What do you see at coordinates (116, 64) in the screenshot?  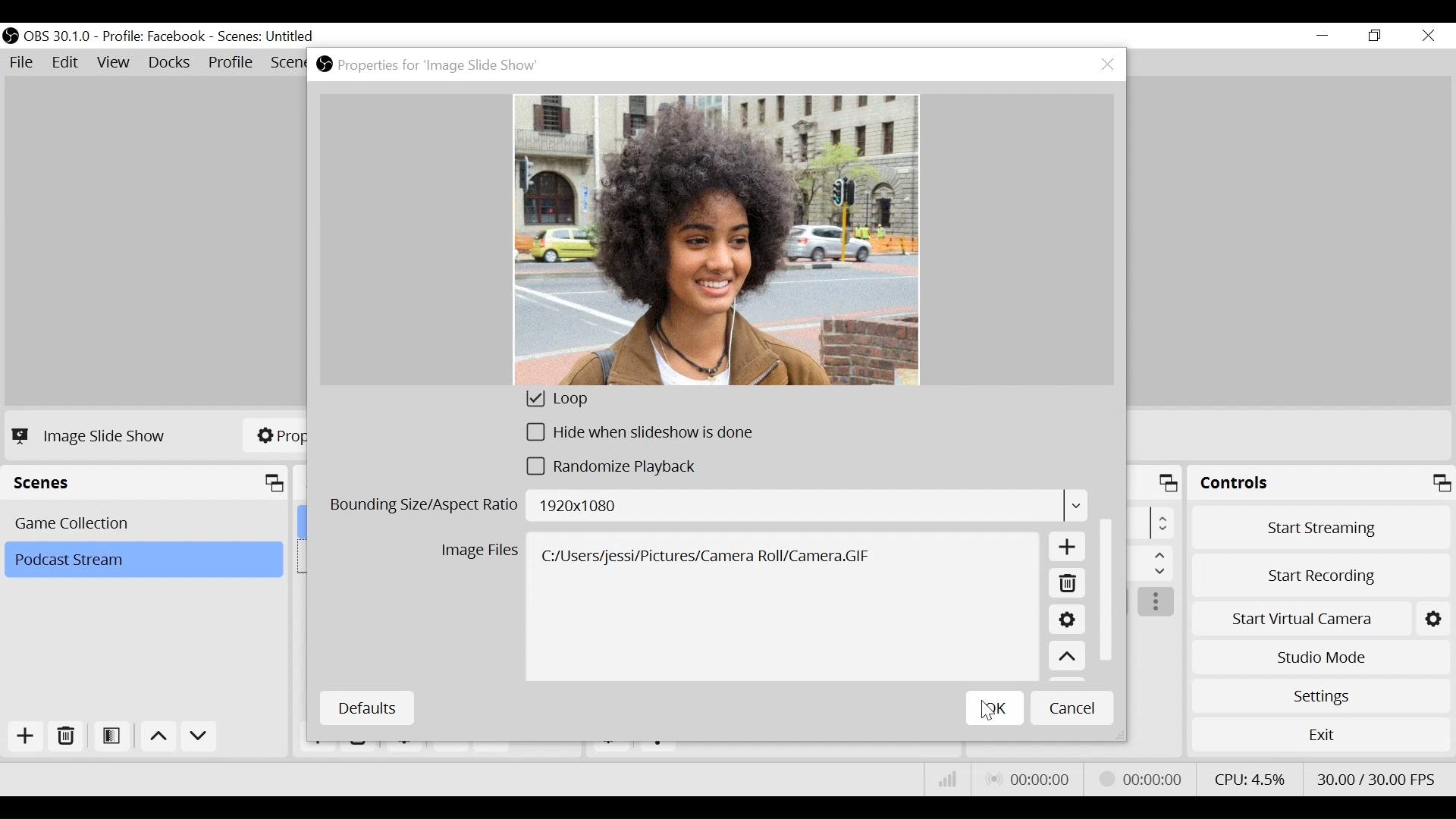 I see `View` at bounding box center [116, 64].